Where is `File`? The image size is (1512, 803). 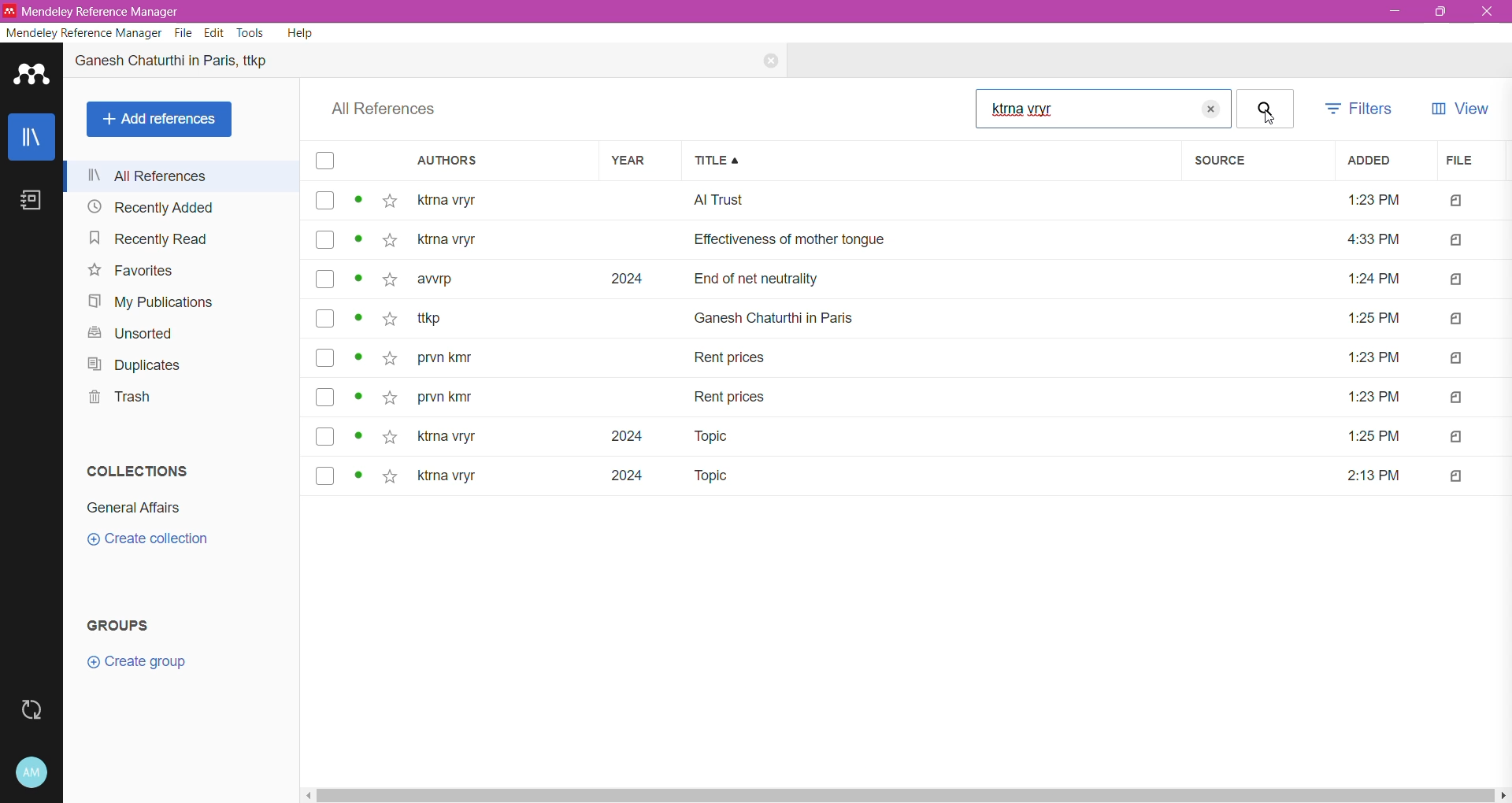
File is located at coordinates (1469, 161).